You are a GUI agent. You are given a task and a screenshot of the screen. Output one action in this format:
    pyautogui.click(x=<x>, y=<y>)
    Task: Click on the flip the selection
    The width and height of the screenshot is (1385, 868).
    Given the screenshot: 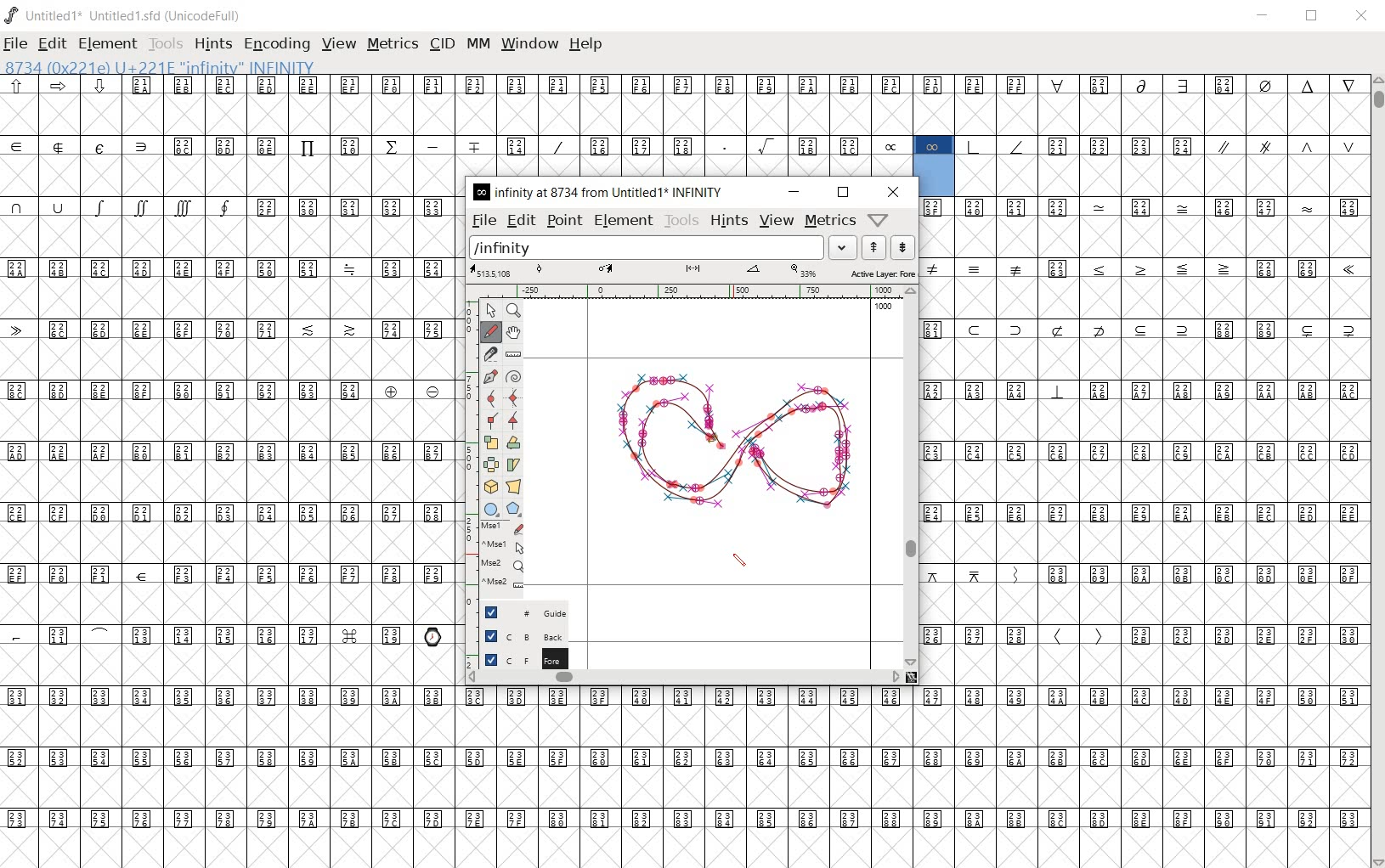 What is the action you would take?
    pyautogui.click(x=490, y=464)
    